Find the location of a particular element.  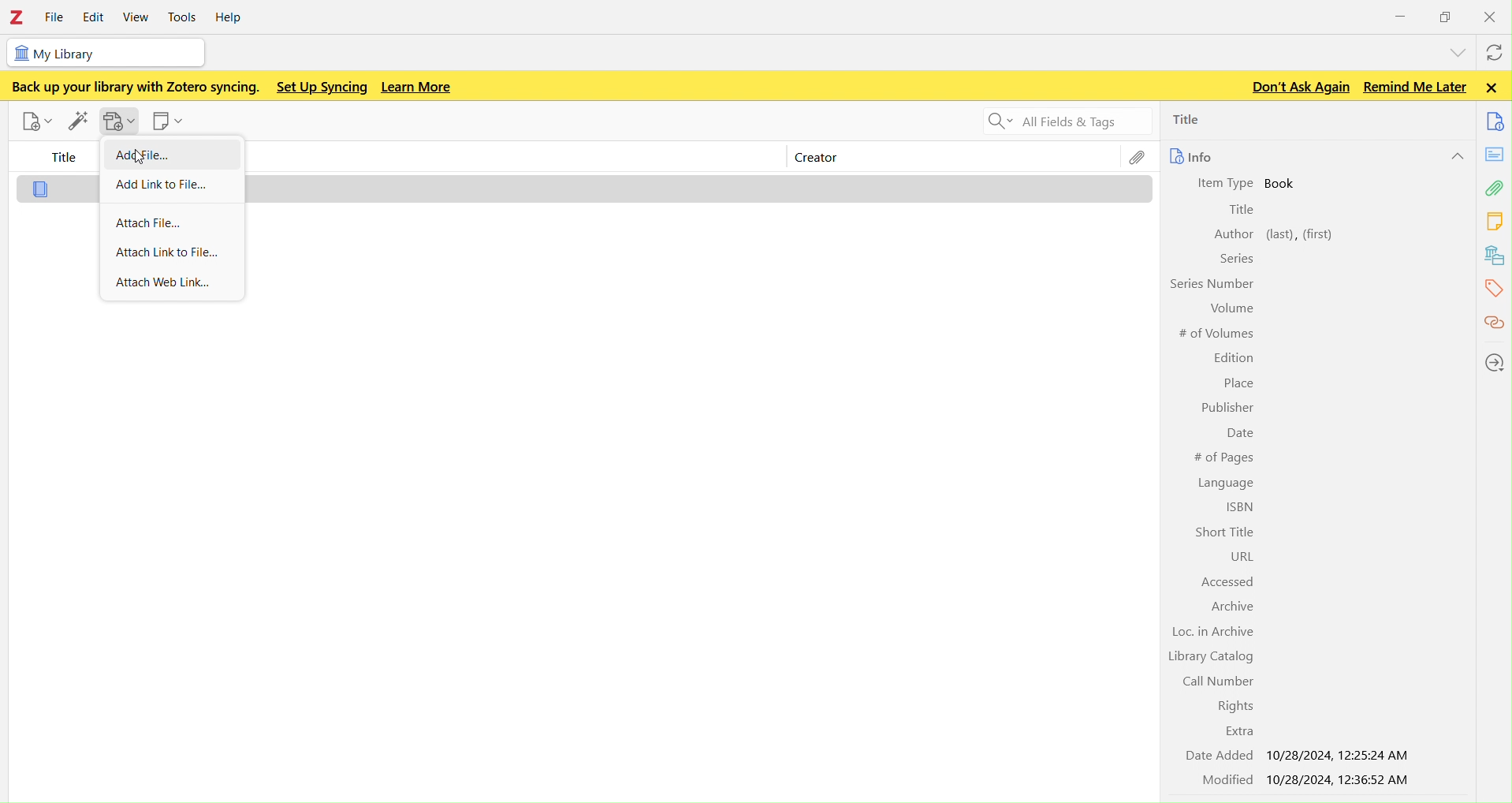

book is located at coordinates (1289, 184).